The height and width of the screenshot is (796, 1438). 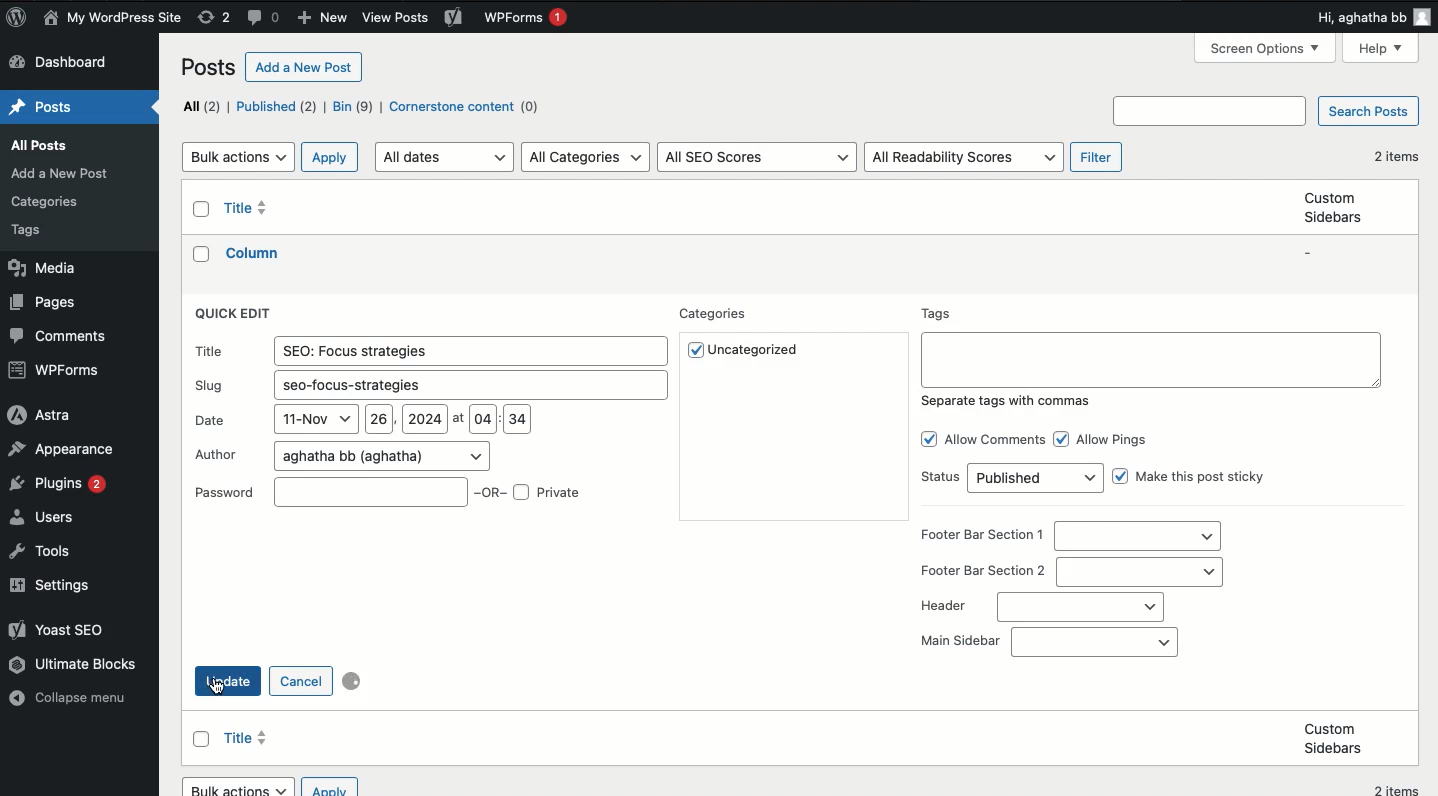 I want to click on Settings, so click(x=55, y=586).